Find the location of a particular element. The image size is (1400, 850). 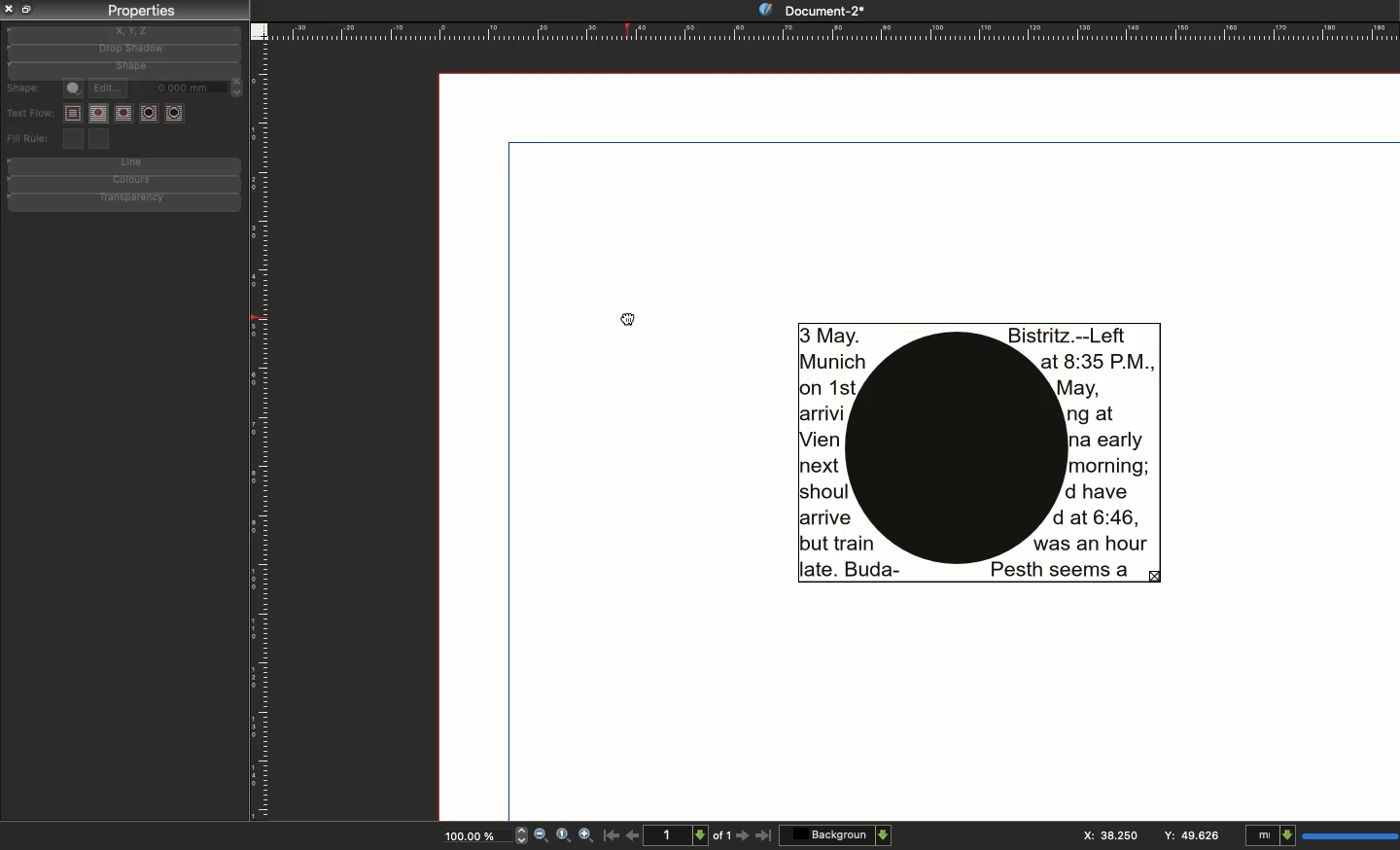

Transparency is located at coordinates (142, 199).